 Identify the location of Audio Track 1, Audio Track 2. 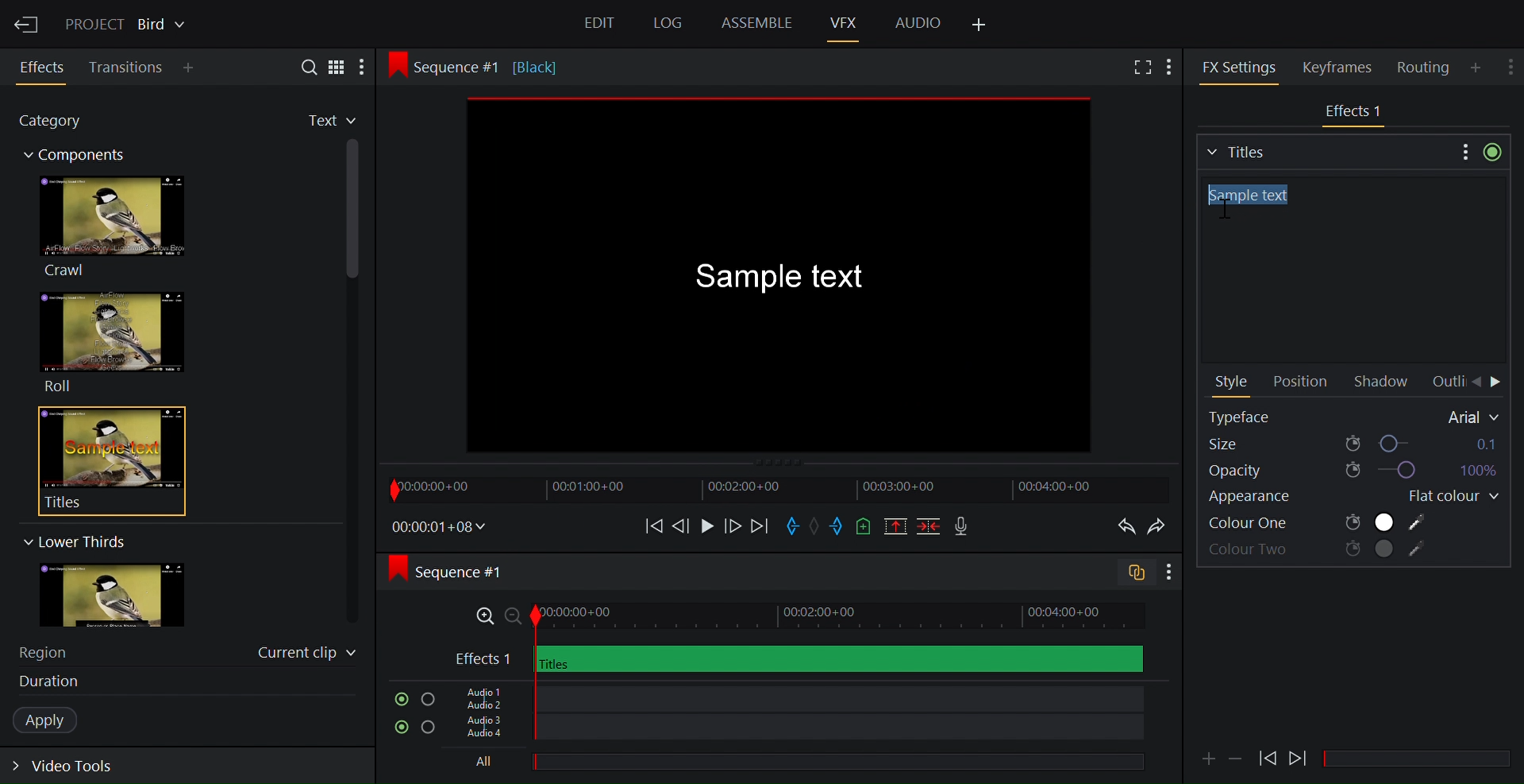
(794, 697).